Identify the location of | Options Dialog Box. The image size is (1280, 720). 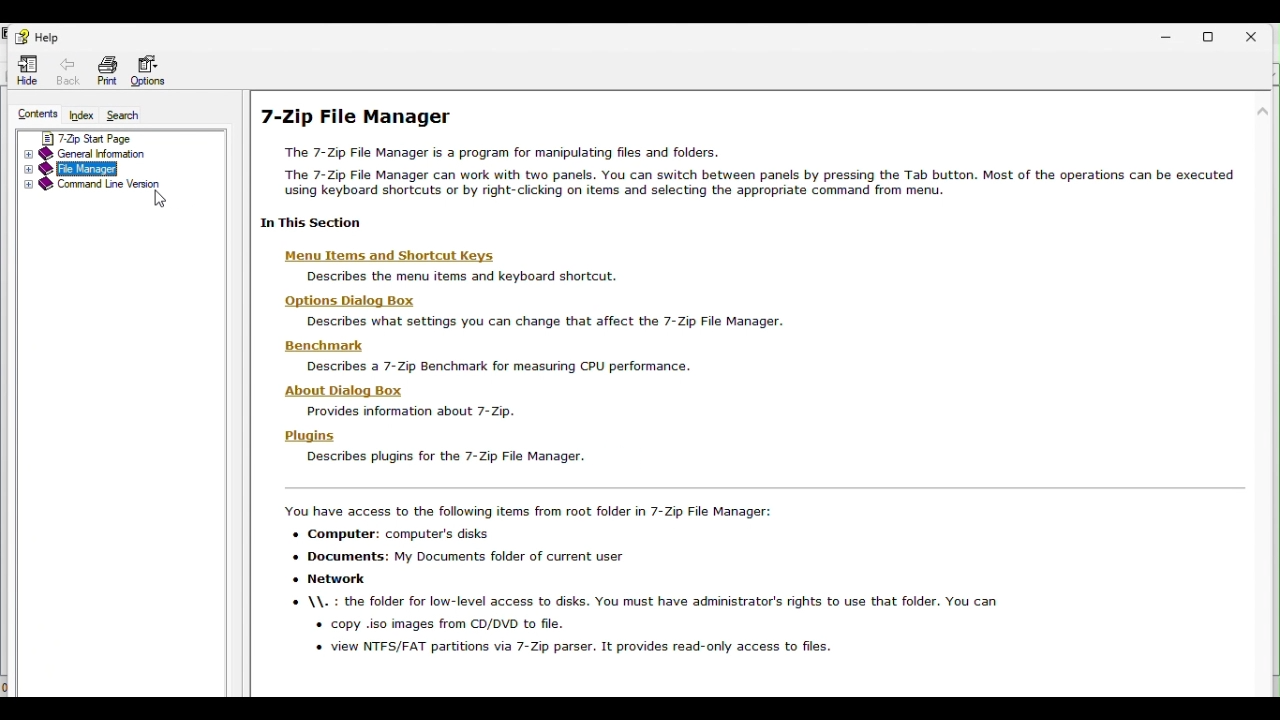
(351, 300).